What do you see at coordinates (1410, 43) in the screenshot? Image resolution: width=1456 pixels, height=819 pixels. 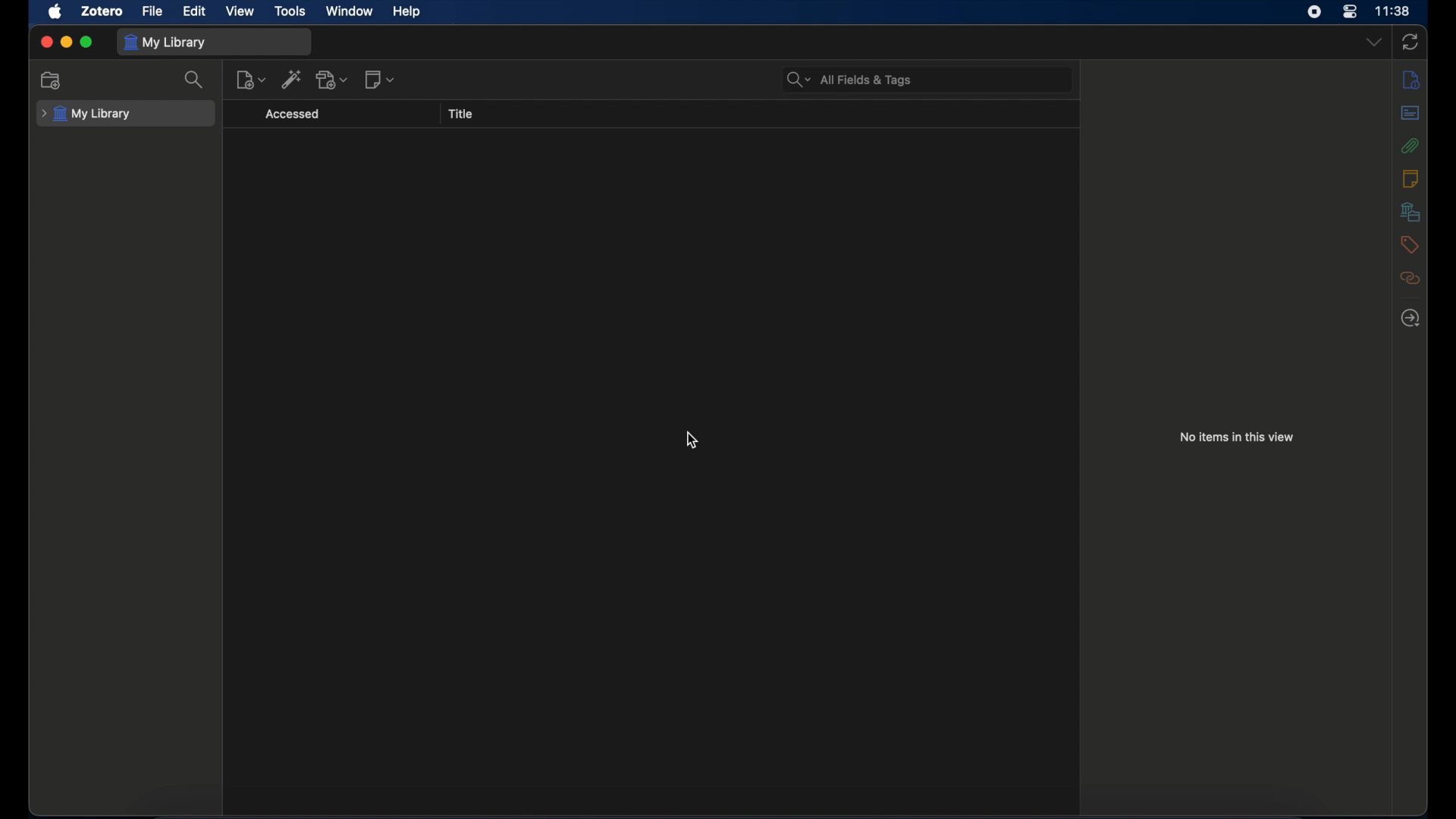 I see `sync` at bounding box center [1410, 43].